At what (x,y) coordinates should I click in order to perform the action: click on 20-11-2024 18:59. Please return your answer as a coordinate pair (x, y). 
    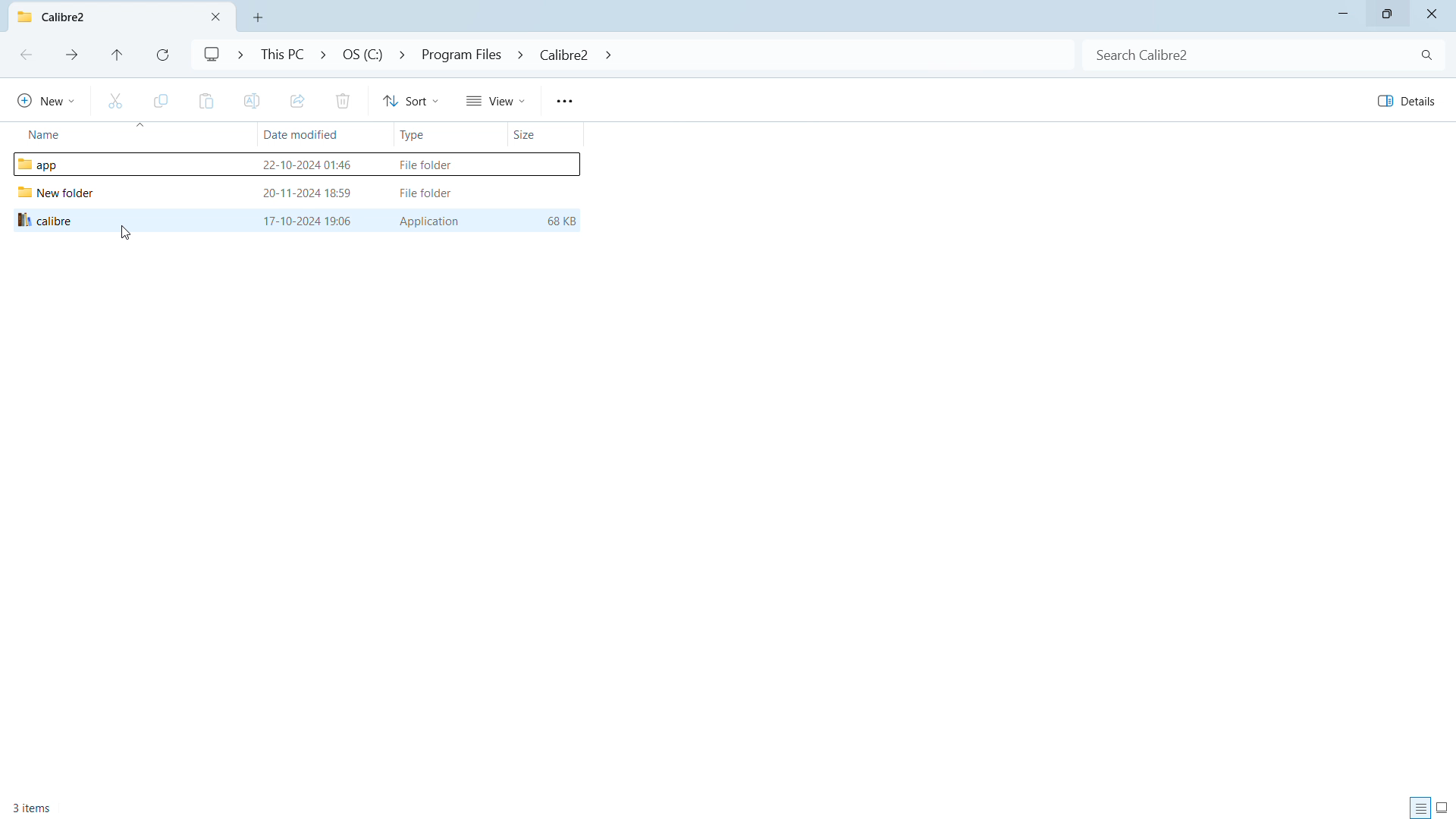
    Looking at the image, I should click on (309, 192).